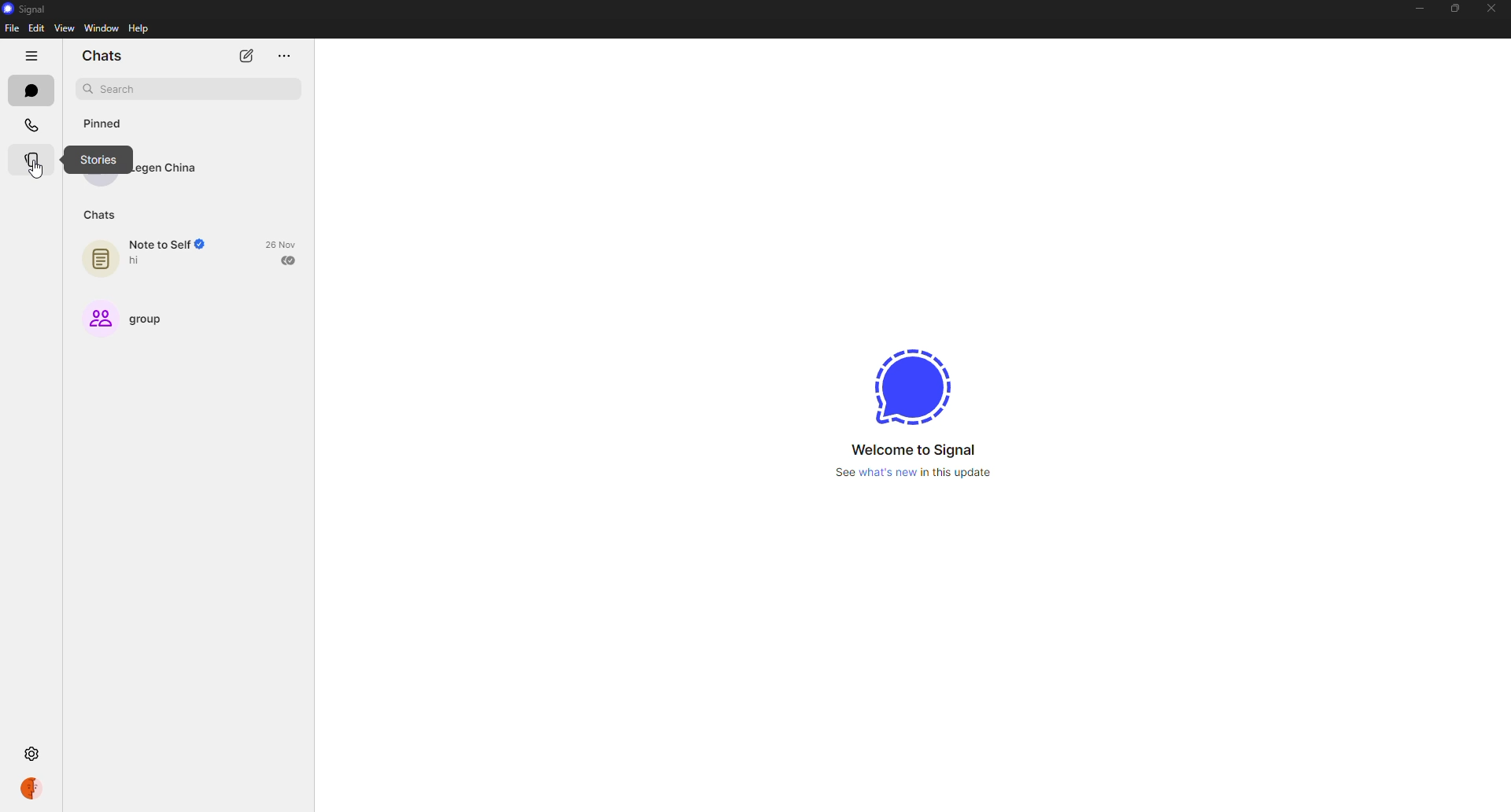 This screenshot has width=1511, height=812. What do you see at coordinates (168, 172) in the screenshot?
I see `contact` at bounding box center [168, 172].